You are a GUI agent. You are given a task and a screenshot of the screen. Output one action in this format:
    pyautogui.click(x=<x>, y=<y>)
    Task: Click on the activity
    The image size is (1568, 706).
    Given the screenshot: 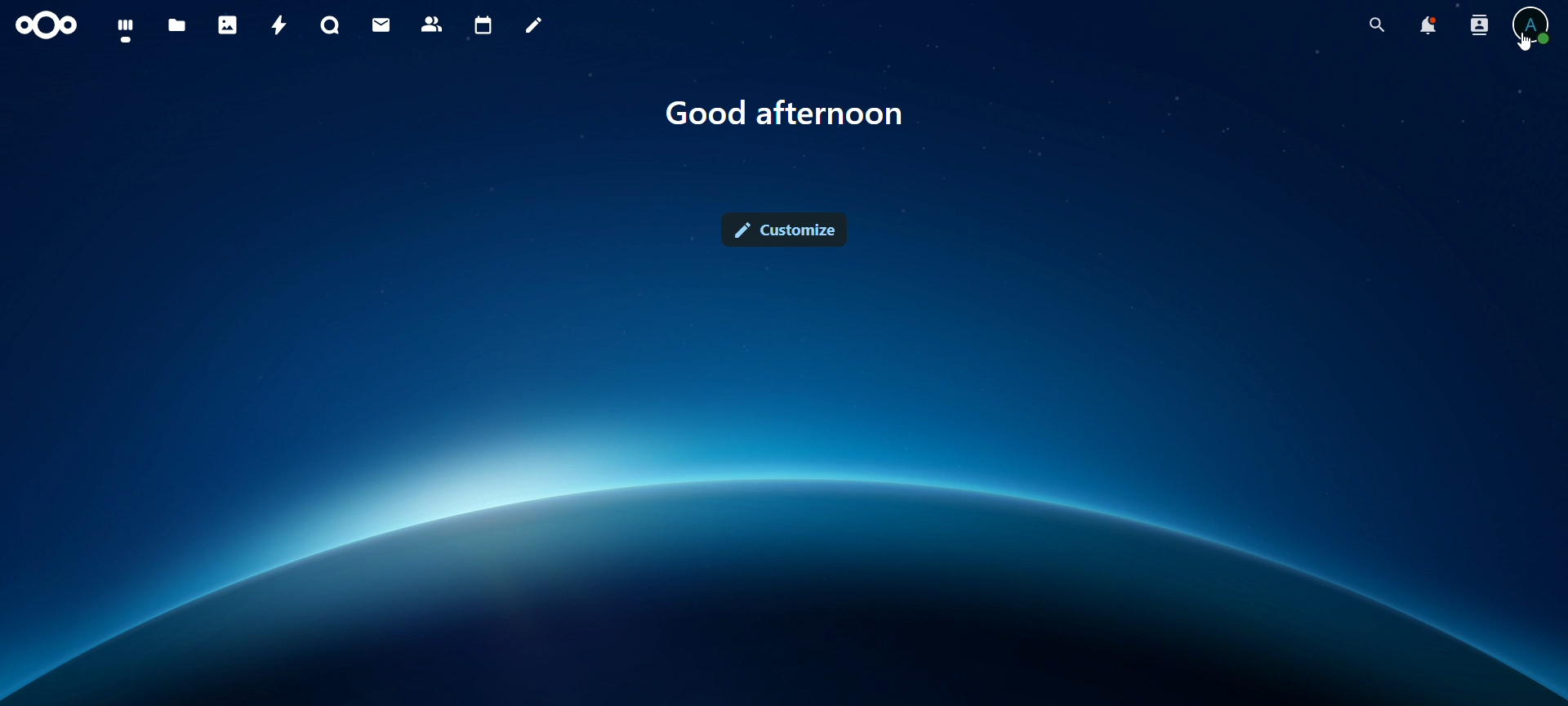 What is the action you would take?
    pyautogui.click(x=280, y=25)
    